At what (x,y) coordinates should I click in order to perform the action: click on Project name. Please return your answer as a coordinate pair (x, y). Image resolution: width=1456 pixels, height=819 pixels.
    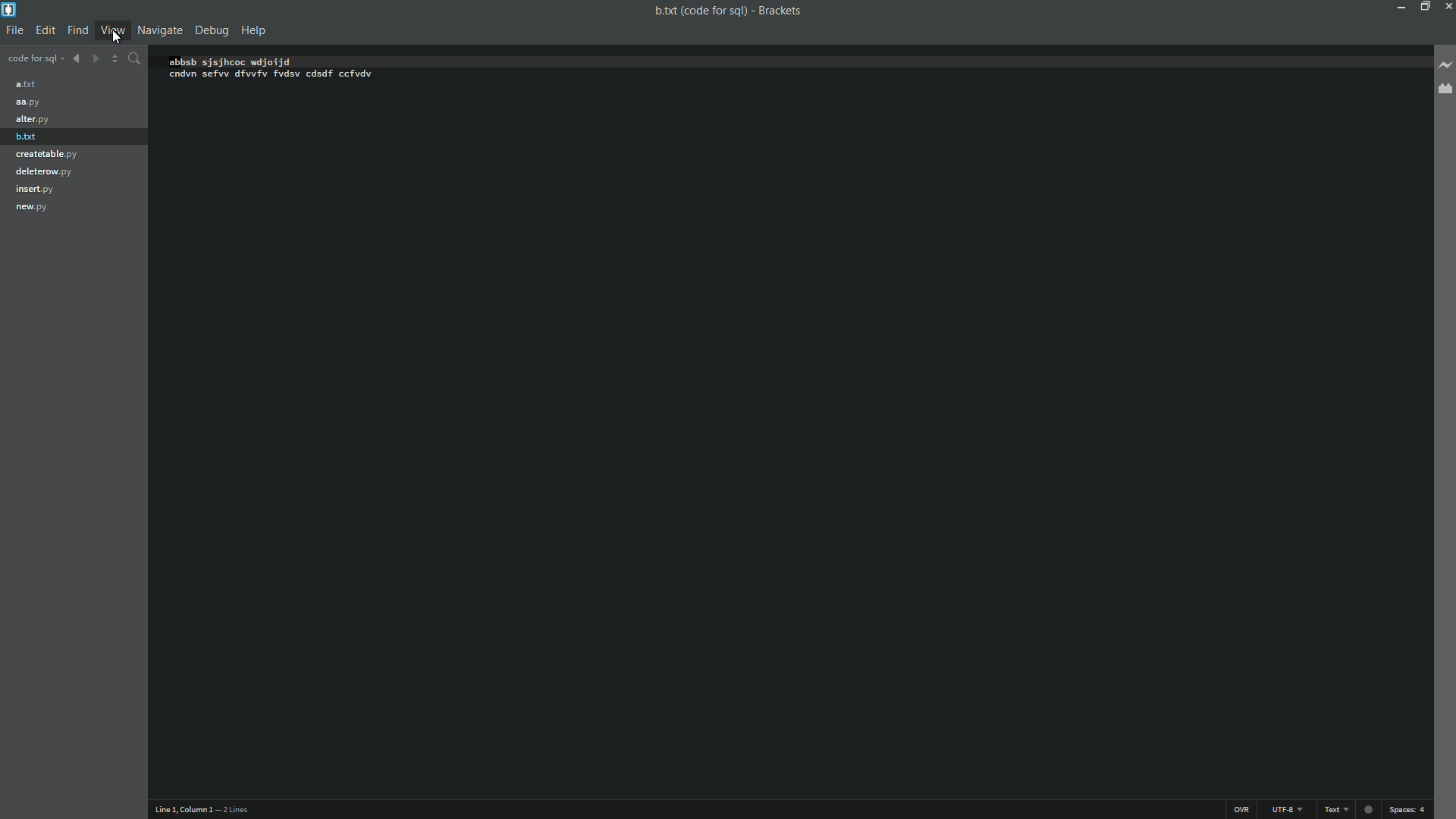
    Looking at the image, I should click on (36, 58).